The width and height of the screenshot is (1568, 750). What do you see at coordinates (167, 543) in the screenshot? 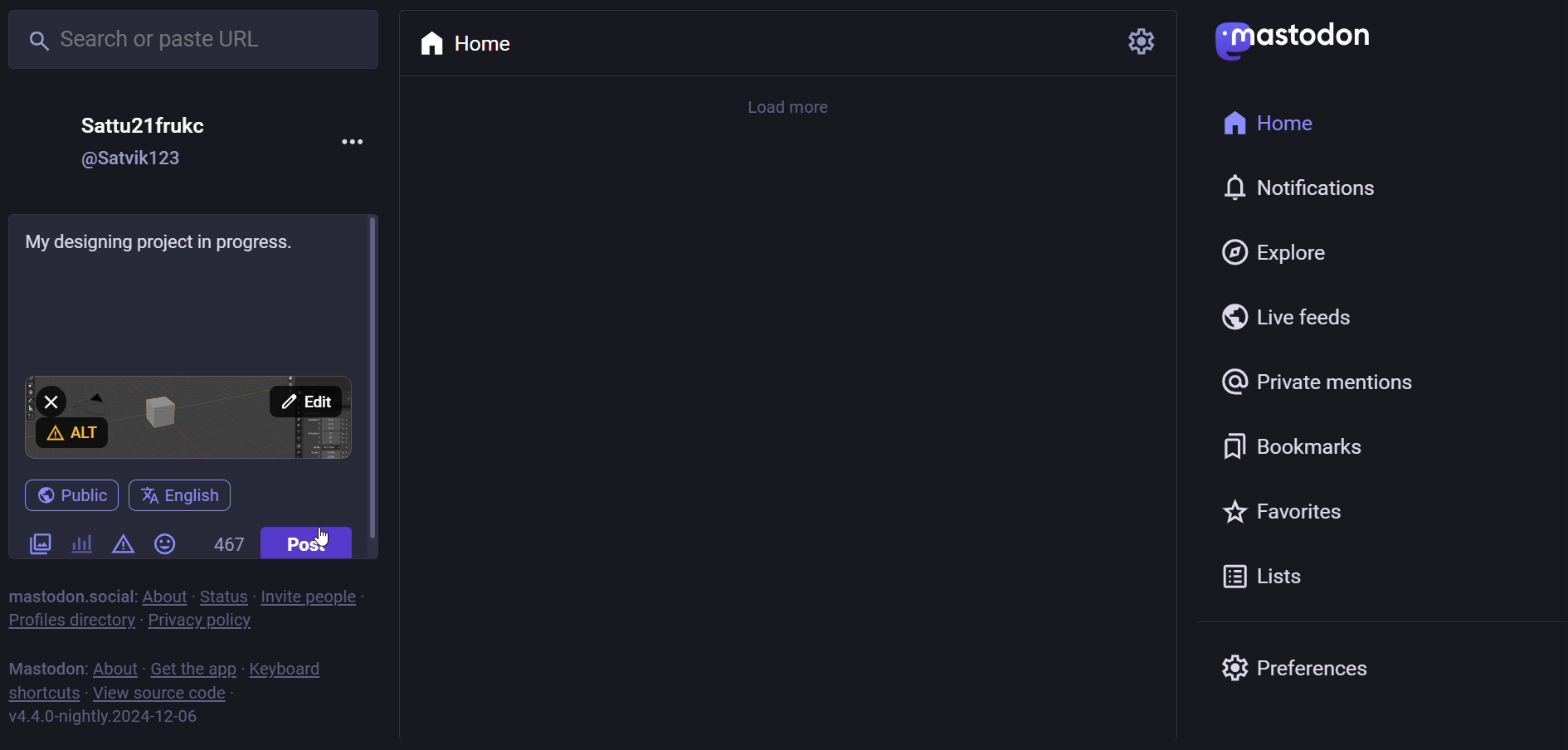
I see `emoji` at bounding box center [167, 543].